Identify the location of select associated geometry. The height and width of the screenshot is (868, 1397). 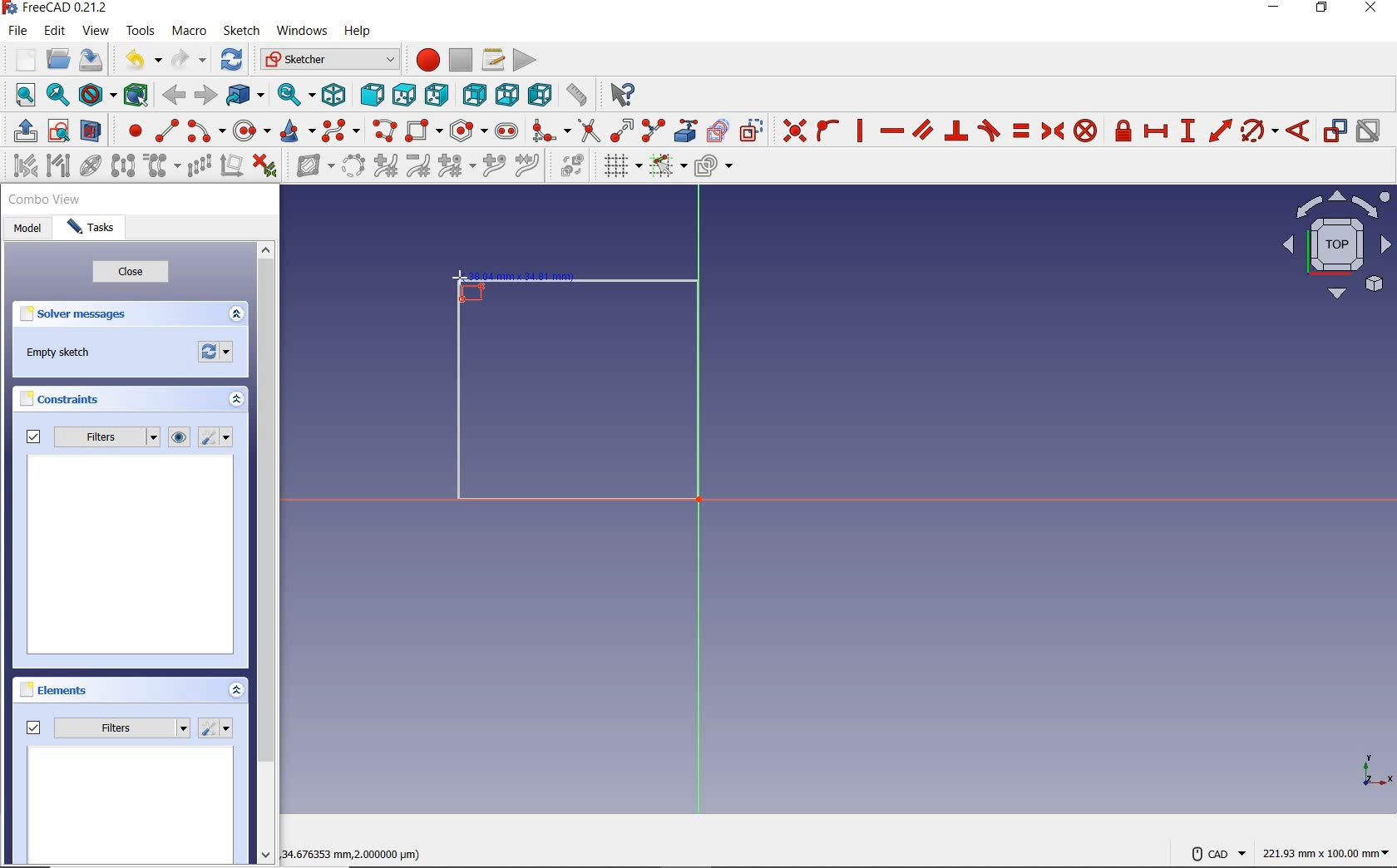
(59, 165).